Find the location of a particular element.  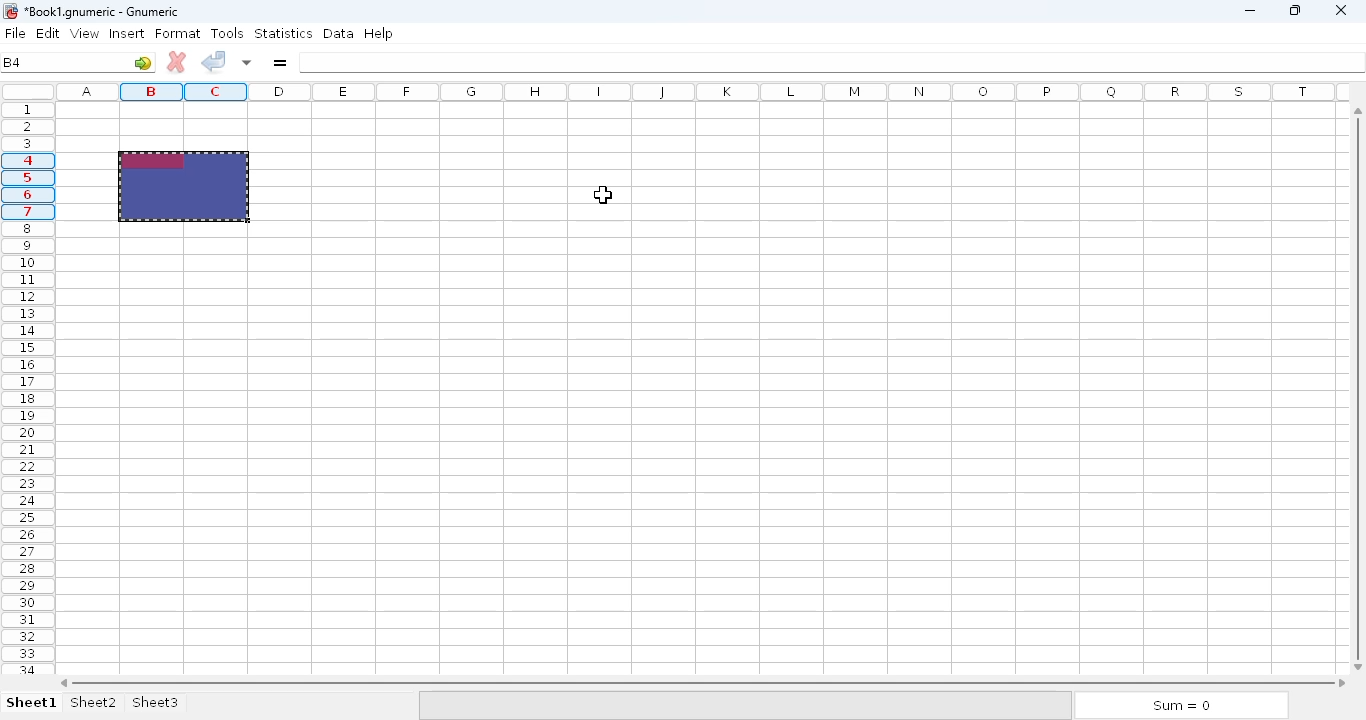

sum = 0 is located at coordinates (1179, 706).